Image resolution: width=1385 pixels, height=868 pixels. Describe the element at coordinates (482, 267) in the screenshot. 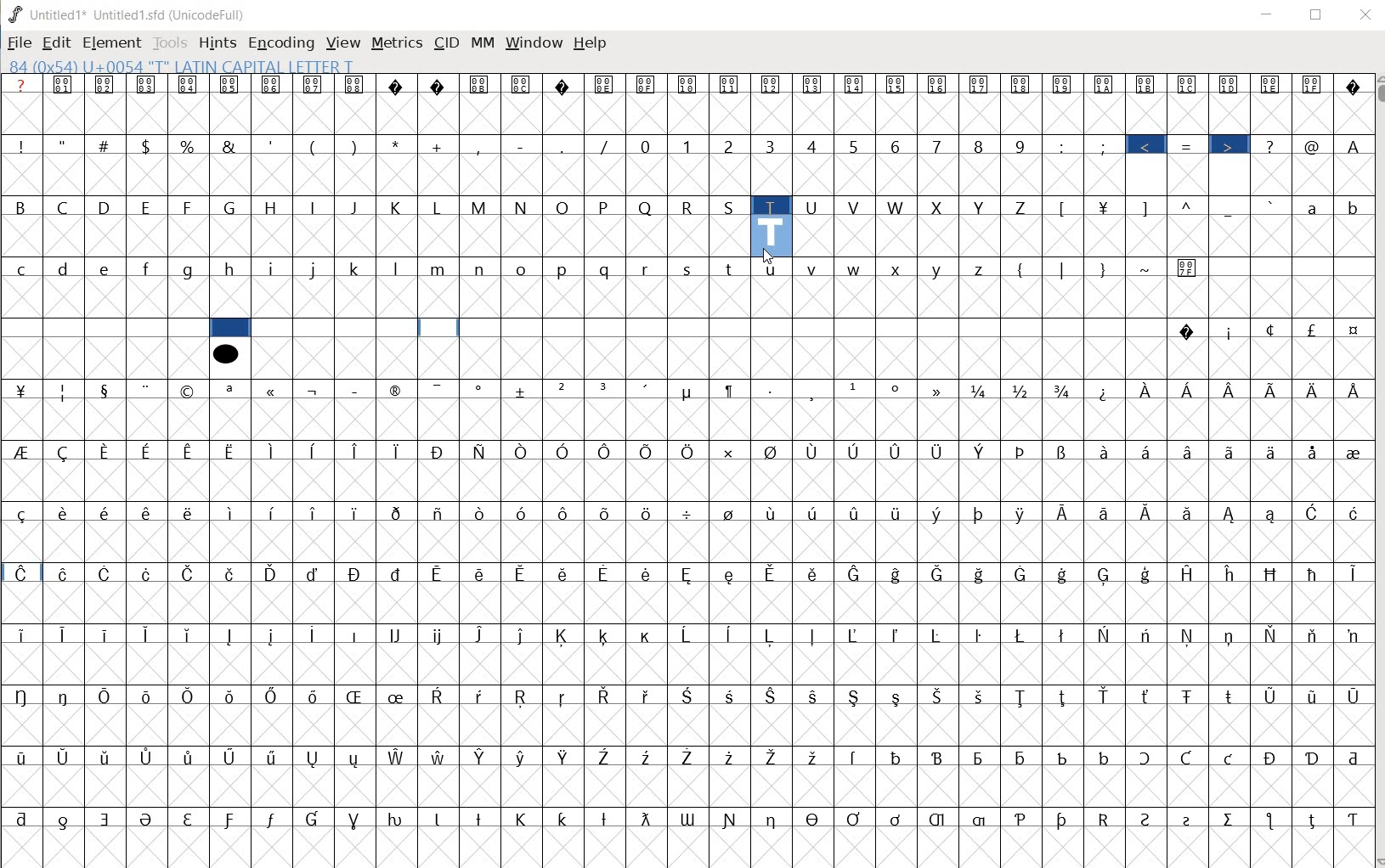

I see `n` at that location.